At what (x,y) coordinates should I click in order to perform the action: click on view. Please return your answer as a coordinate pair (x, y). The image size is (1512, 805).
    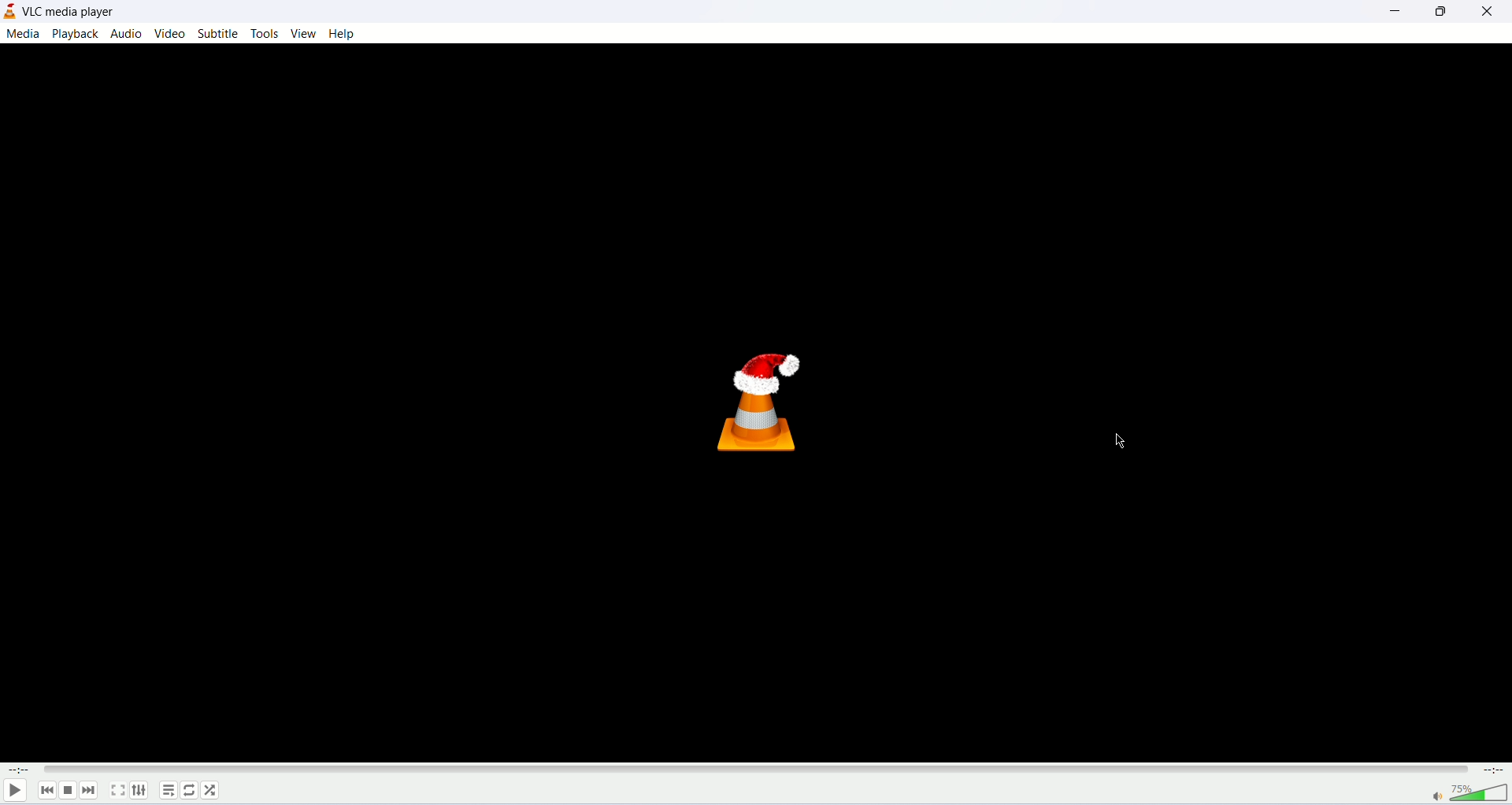
    Looking at the image, I should click on (303, 33).